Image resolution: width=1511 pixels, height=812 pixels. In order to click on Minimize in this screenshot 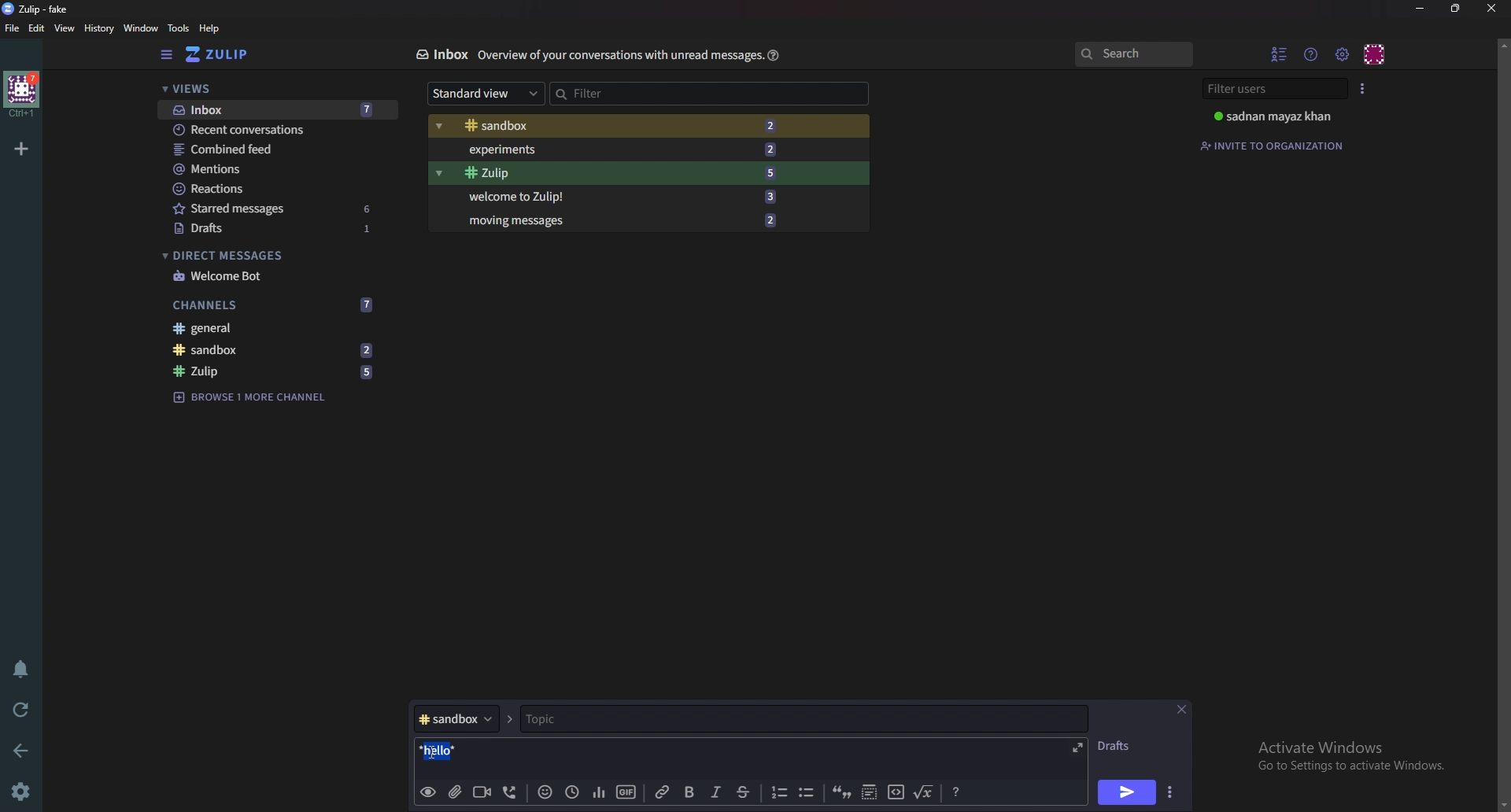, I will do `click(1420, 9)`.